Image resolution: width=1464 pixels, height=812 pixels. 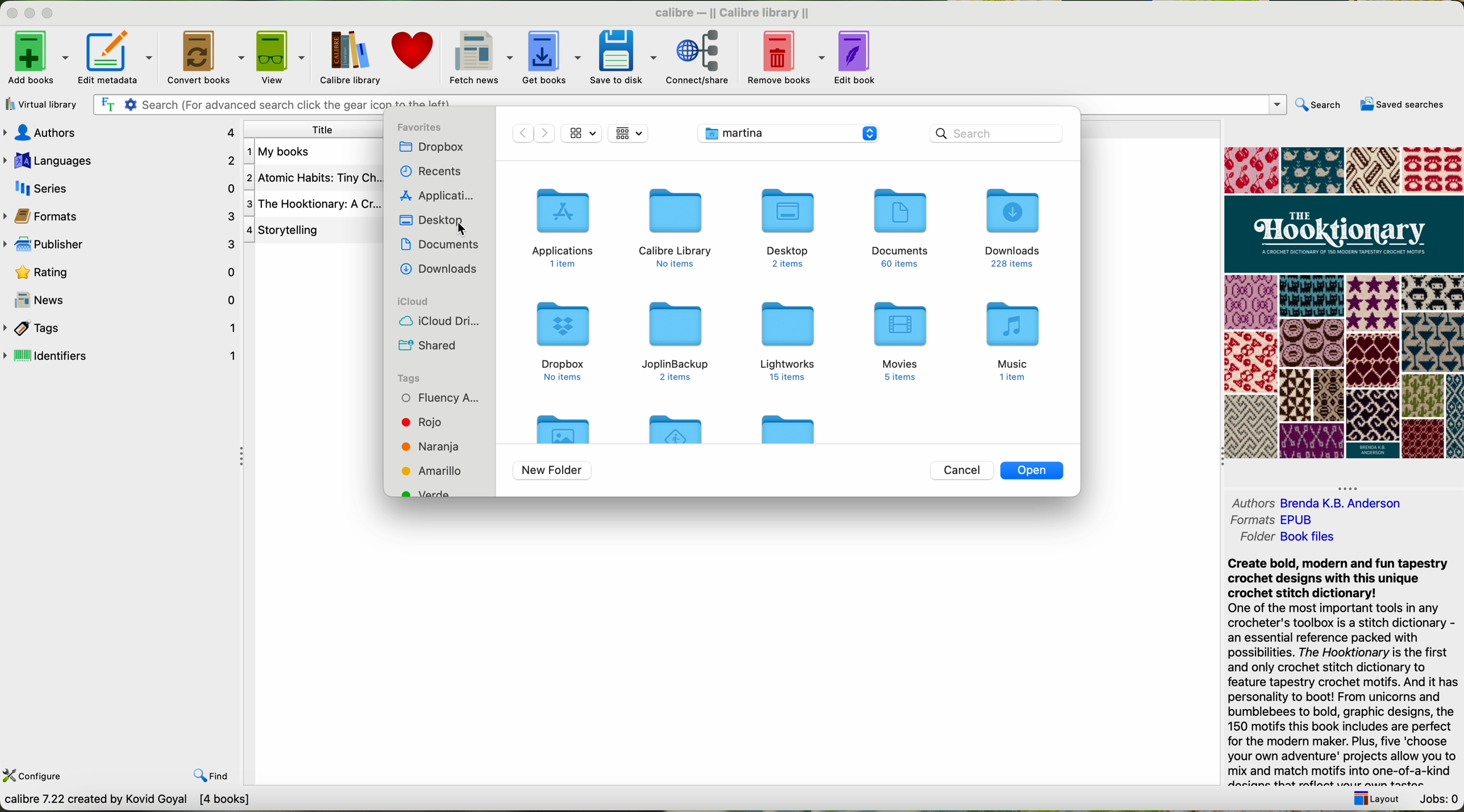 What do you see at coordinates (1334, 669) in the screenshot?
I see `Create bold, modern and fun tapestry
crochet designs with this unique
crochet stitch dictionary!

One of the most important tools in any
crocheter's toolbox is a stitch dictionary -
an essential reference packed with
possibilities. The Hooktionary is the first
and only crochet stitch dictionary to
feature tapestry crochet motifs. And it has
personality to boot! From unicorns and
bumblebees to bold, graphic designs, the
150 motifs this book includes are perfect
for the modern maker. Plus, five ‘choose
your own adventure' projects allow you to
mix and match motifs into one-of-a-kind
anise Slant mwablasnt 2am 00 Siam Pandan` at bounding box center [1334, 669].